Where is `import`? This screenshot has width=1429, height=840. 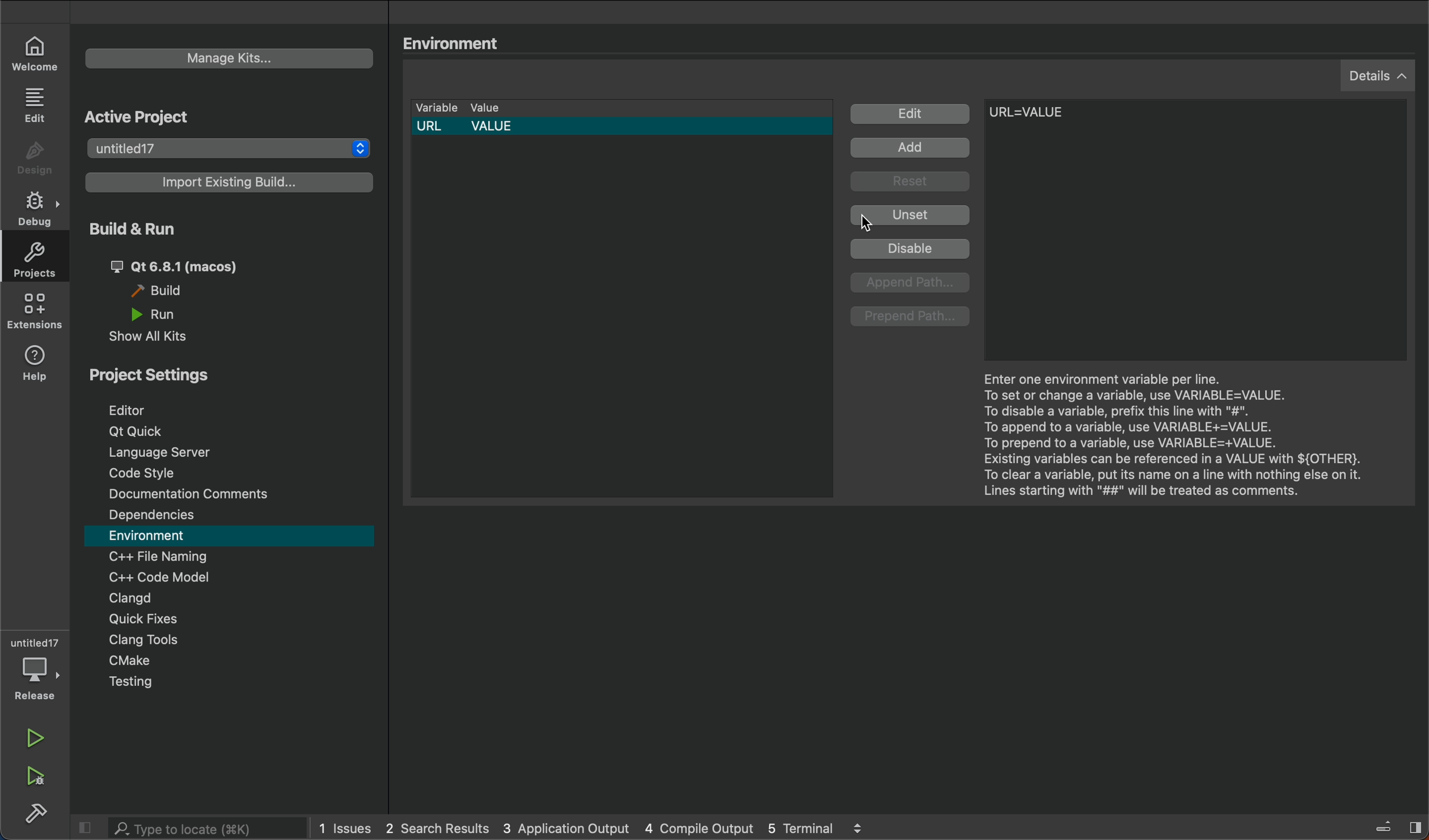
import is located at coordinates (228, 186).